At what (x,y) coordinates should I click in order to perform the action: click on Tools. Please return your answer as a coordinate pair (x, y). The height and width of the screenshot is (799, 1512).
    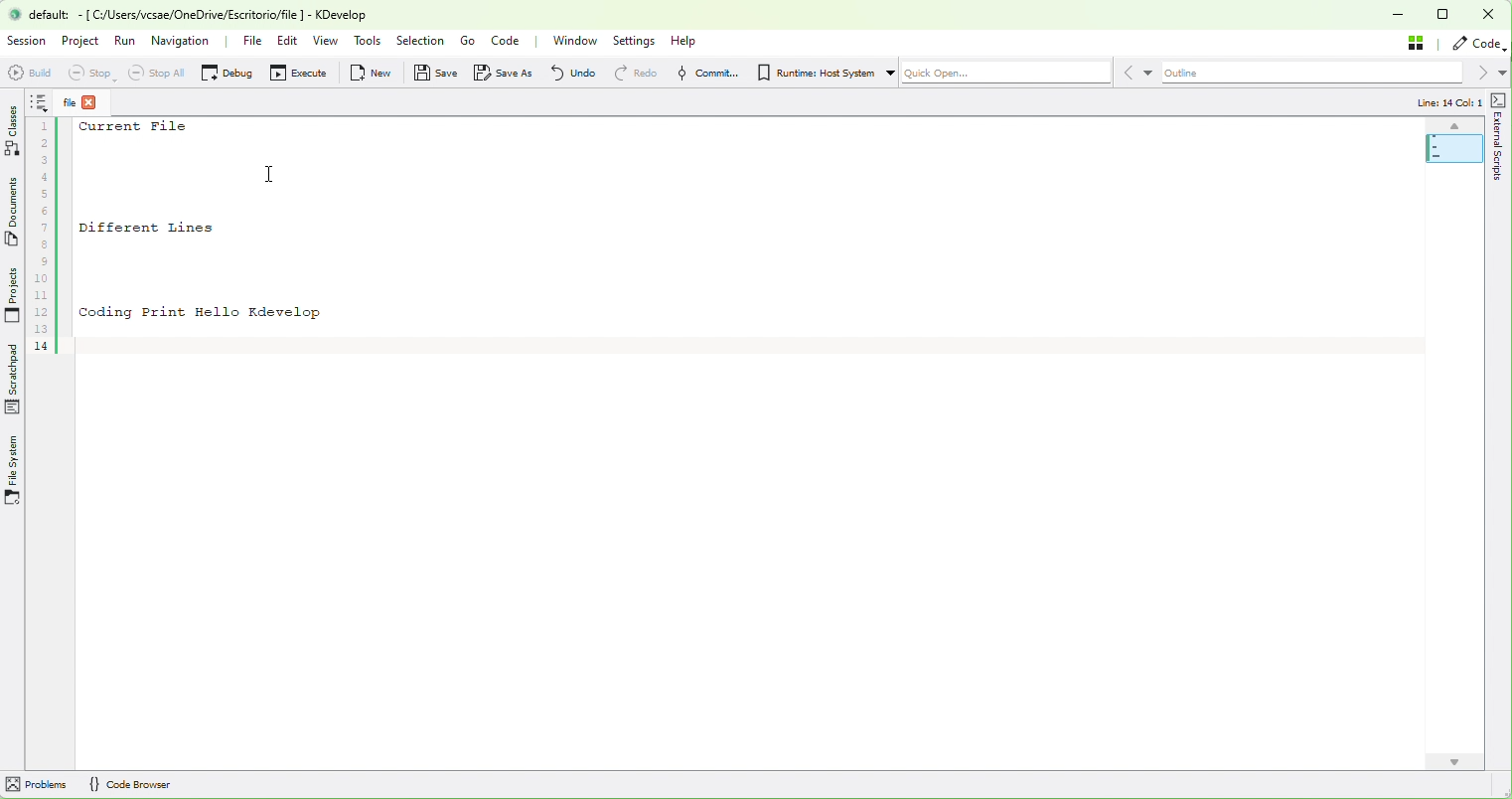
    Looking at the image, I should click on (372, 42).